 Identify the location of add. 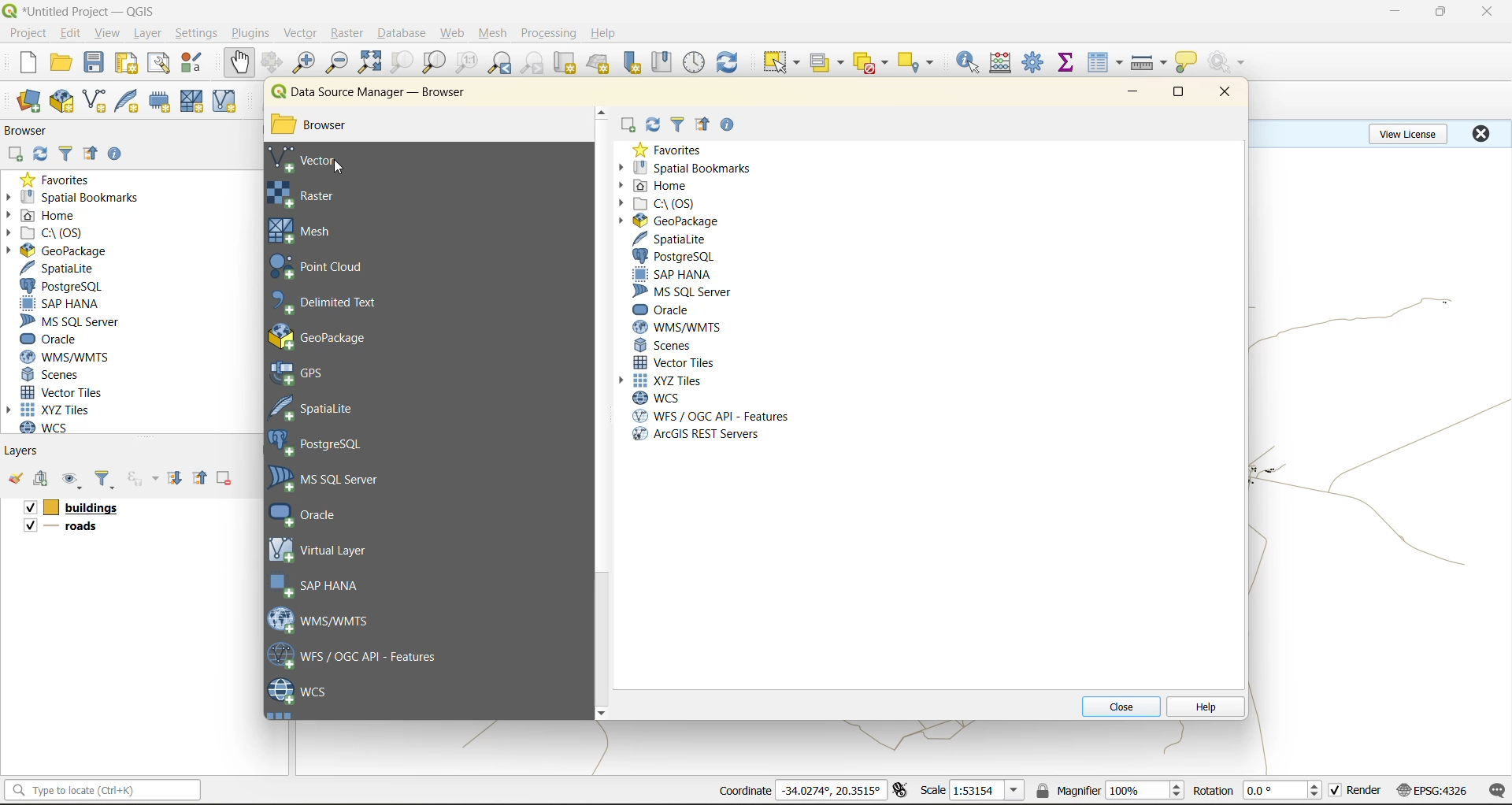
(43, 480).